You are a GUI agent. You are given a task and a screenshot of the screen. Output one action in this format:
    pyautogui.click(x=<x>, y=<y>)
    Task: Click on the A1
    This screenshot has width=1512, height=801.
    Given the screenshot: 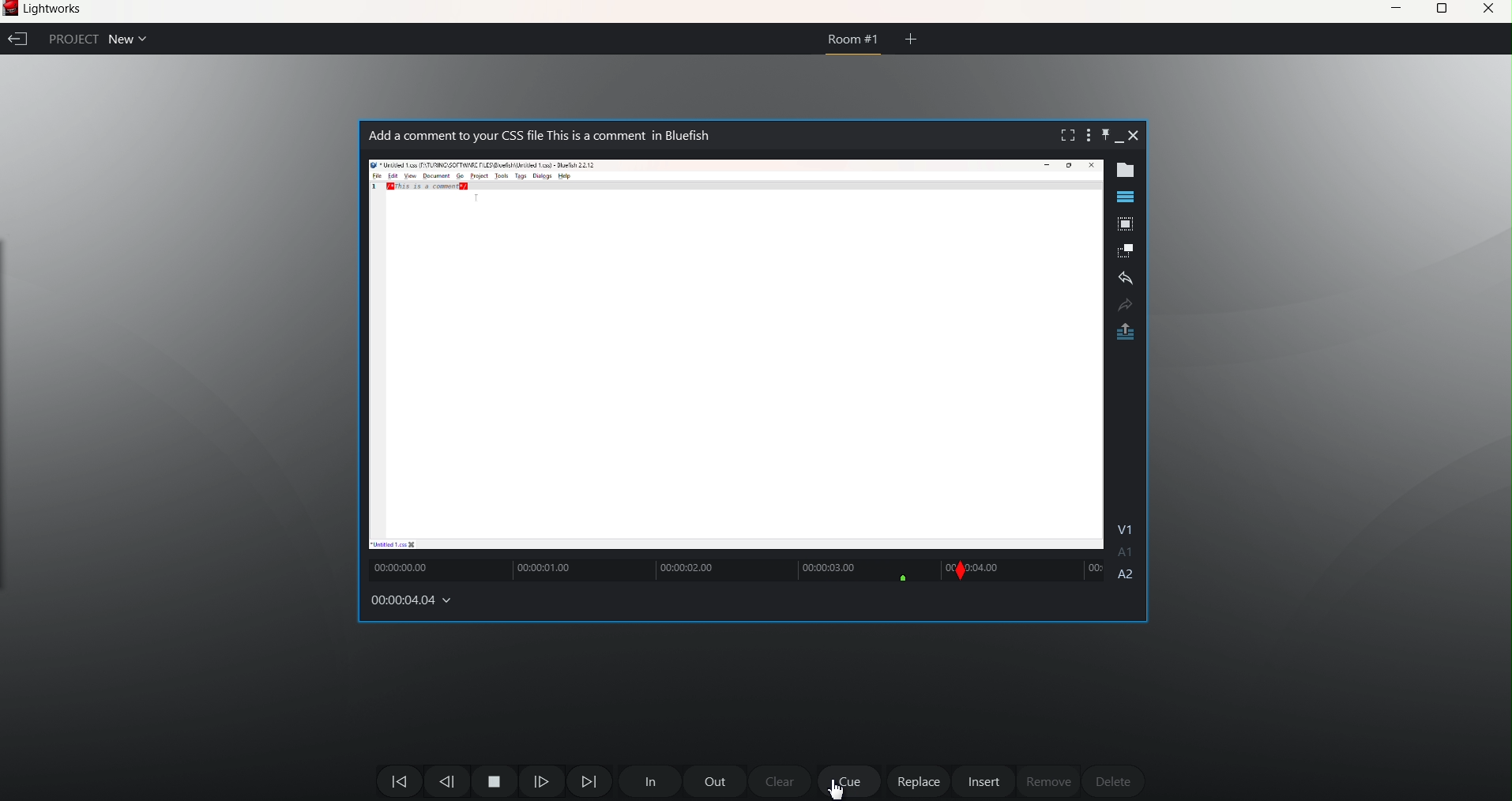 What is the action you would take?
    pyautogui.click(x=1127, y=554)
    